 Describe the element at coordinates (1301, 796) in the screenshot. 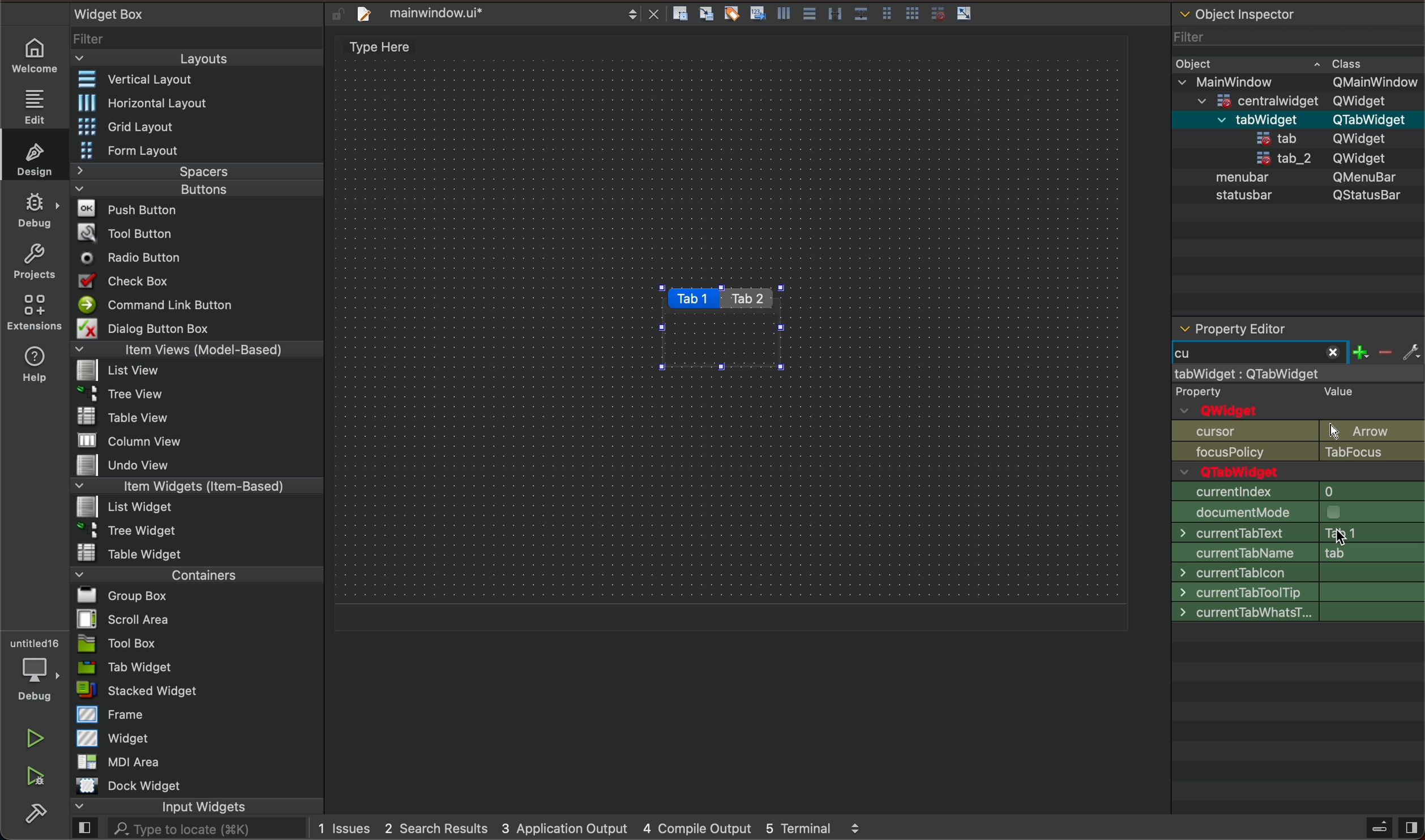

I see `` at that location.